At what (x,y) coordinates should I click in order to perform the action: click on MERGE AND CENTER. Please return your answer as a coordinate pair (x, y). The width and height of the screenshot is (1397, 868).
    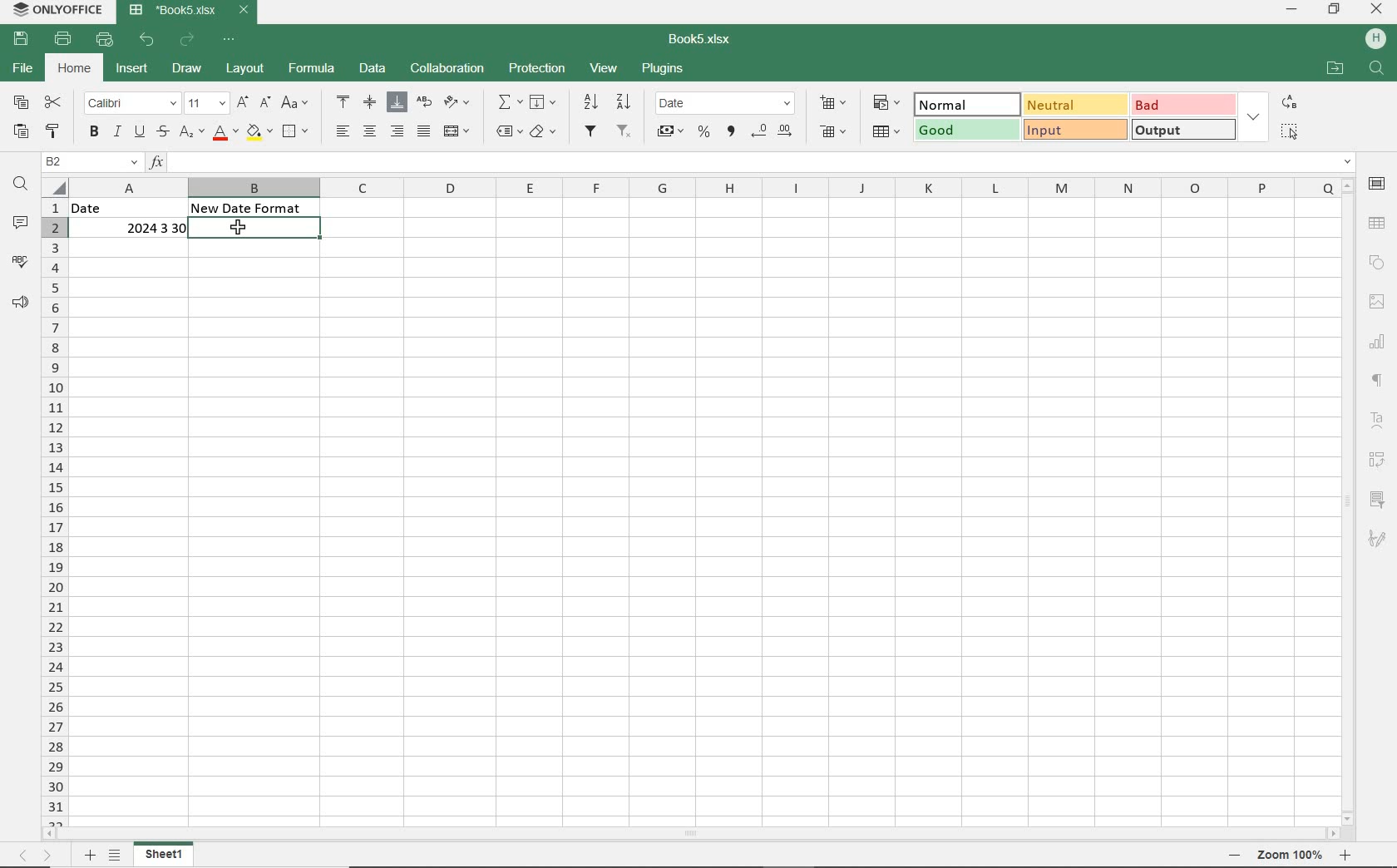
    Looking at the image, I should click on (458, 131).